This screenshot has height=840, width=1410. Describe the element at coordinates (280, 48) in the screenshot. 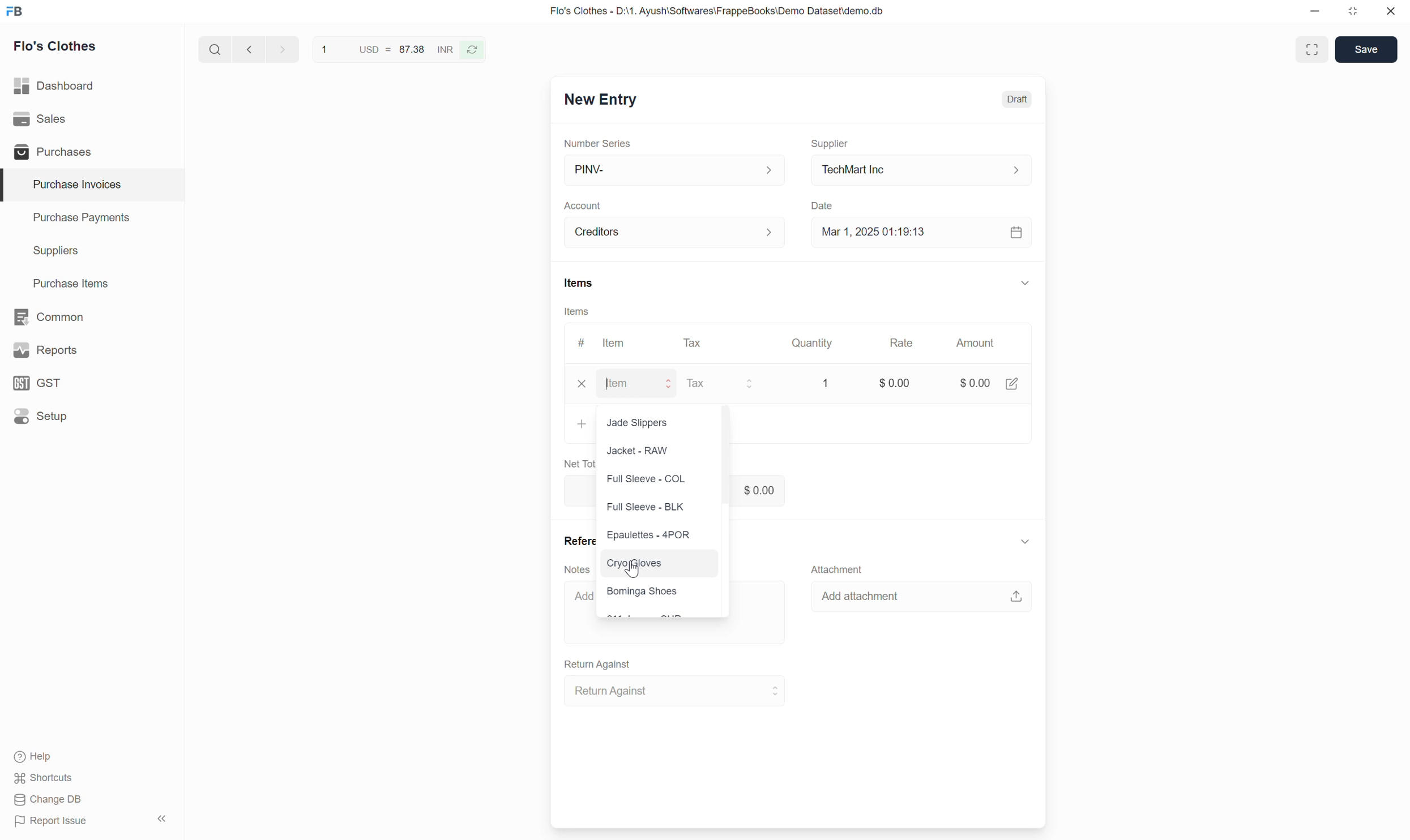

I see `previous` at that location.